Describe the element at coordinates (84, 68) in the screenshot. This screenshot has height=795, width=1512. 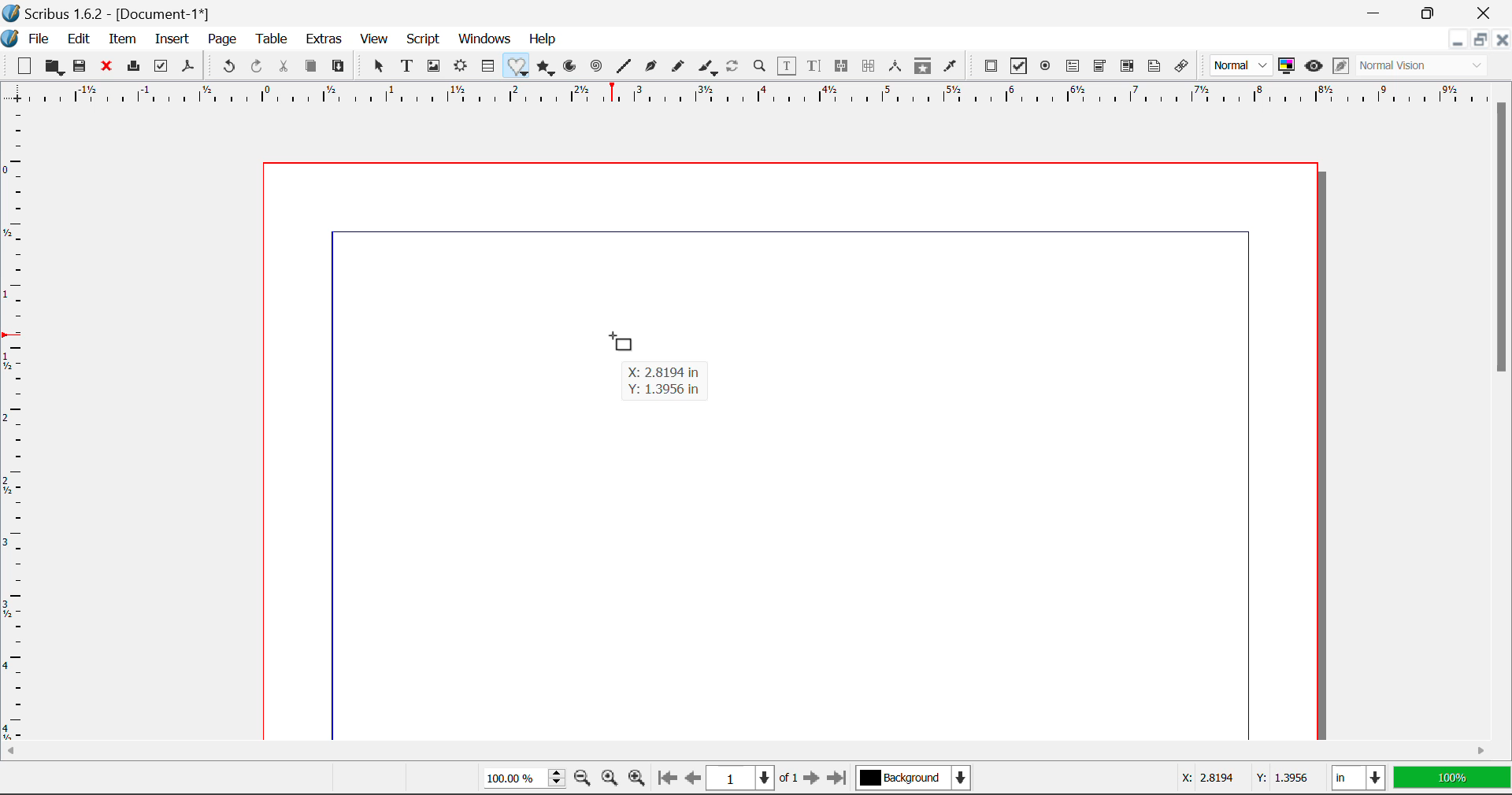
I see `Save` at that location.